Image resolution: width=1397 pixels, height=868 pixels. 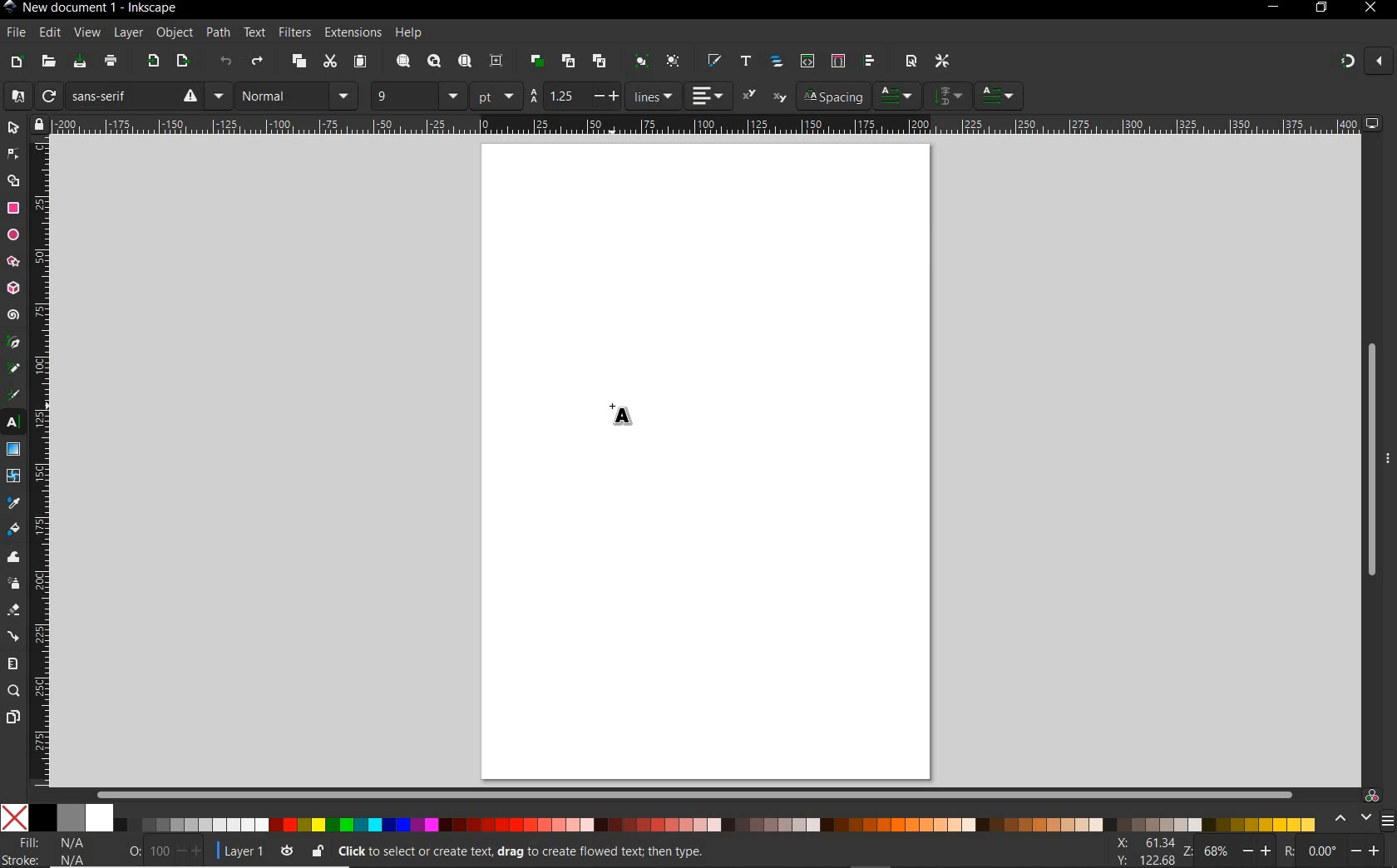 What do you see at coordinates (13, 180) in the screenshot?
I see `shape builder tool` at bounding box center [13, 180].